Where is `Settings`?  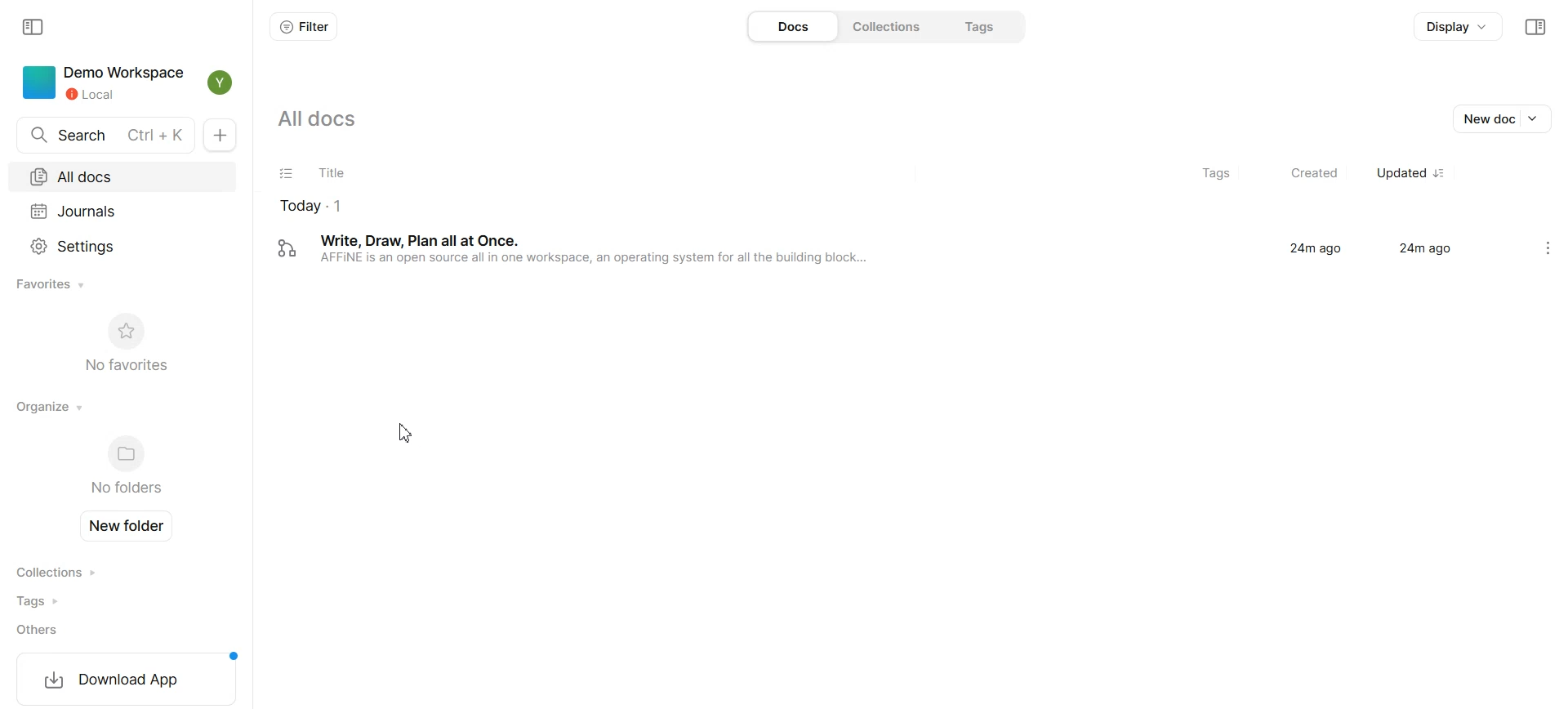
Settings is located at coordinates (122, 244).